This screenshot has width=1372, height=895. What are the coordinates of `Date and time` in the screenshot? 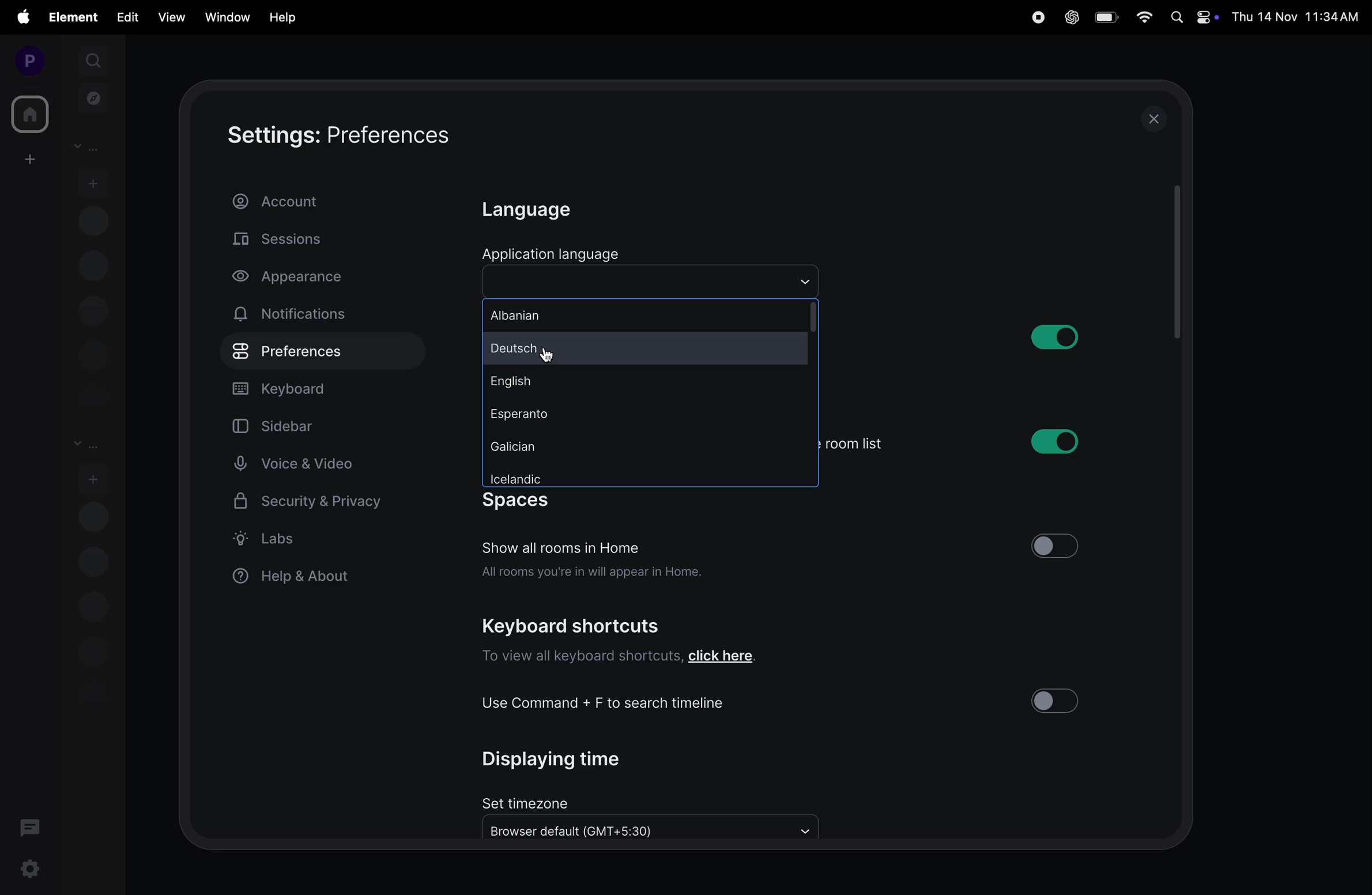 It's located at (1297, 17).